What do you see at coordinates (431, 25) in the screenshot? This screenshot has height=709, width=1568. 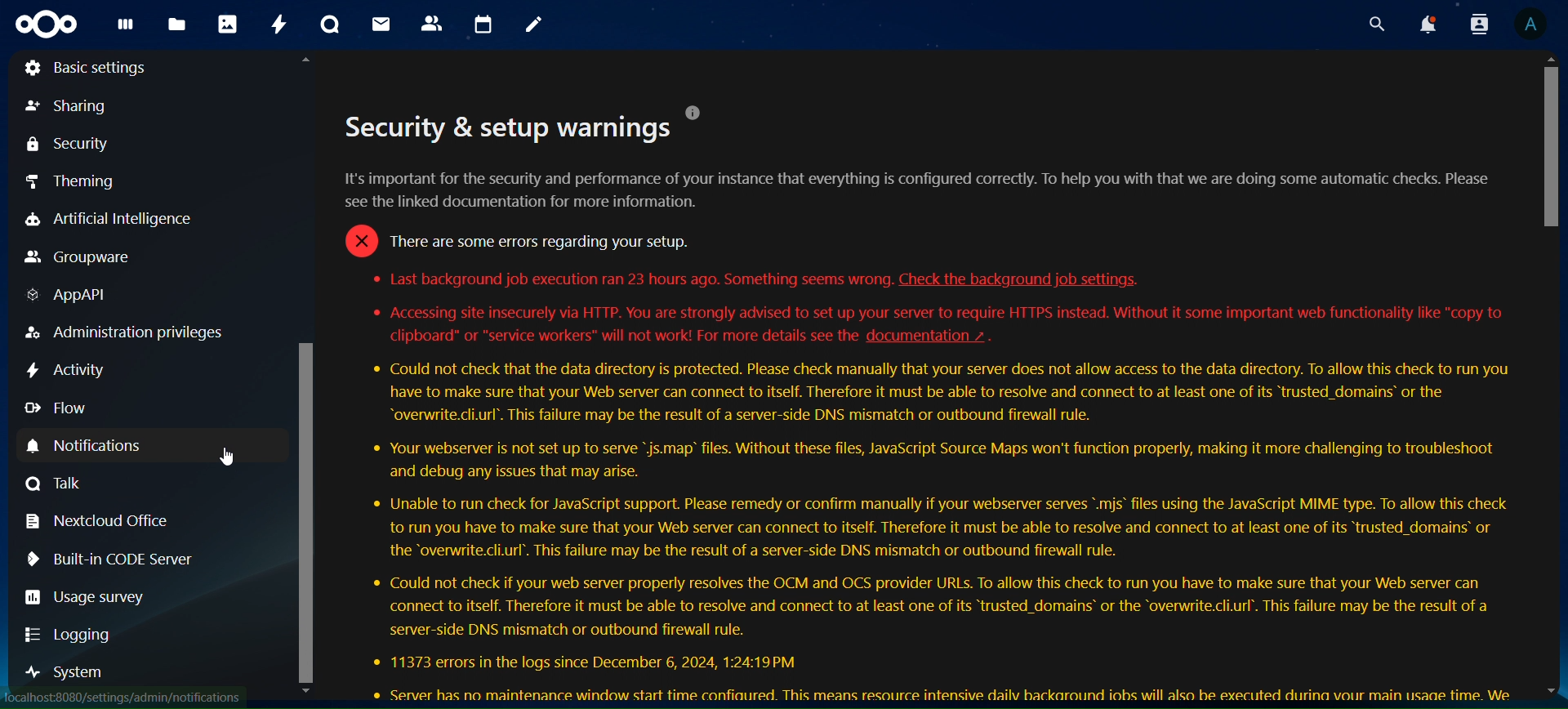 I see `contacts` at bounding box center [431, 25].